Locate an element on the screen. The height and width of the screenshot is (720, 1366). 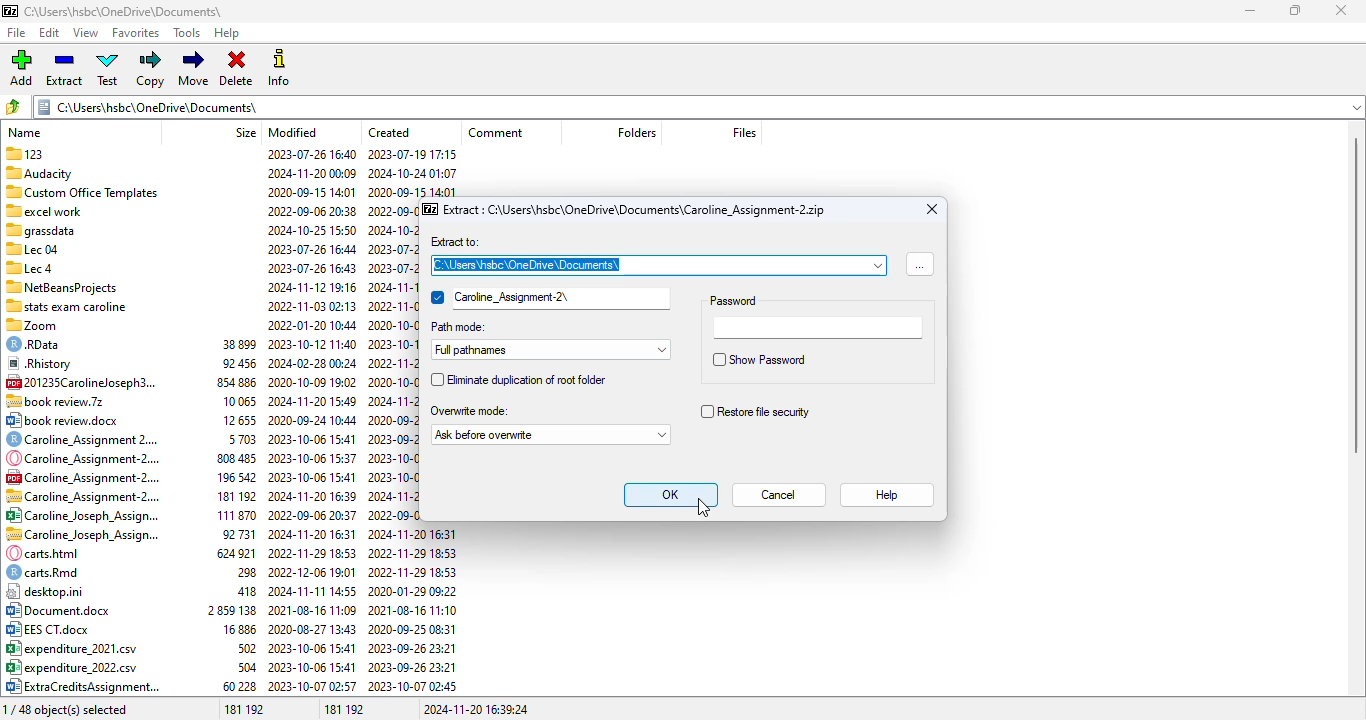
Document.docx: 2859138 2021-08-16 11:09 2021-08-16 11:10 is located at coordinates (232, 611).